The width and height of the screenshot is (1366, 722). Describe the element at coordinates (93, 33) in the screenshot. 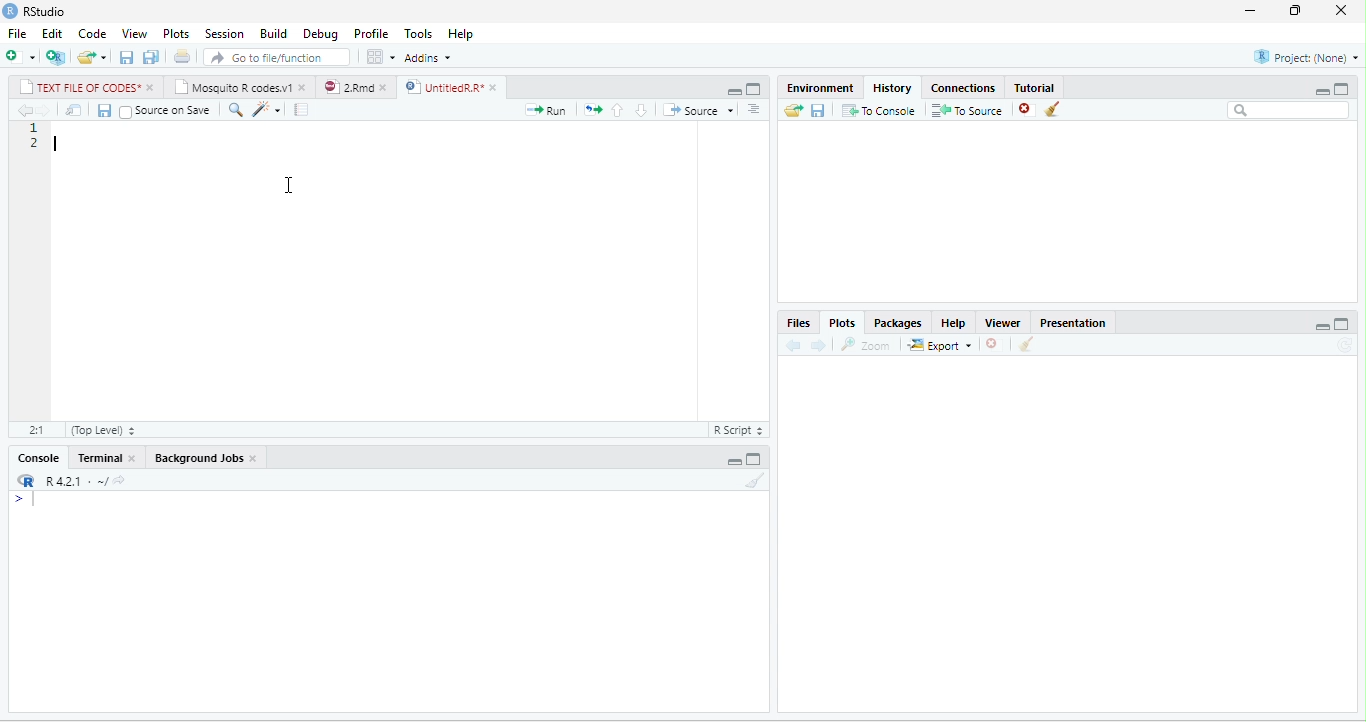

I see `Code` at that location.